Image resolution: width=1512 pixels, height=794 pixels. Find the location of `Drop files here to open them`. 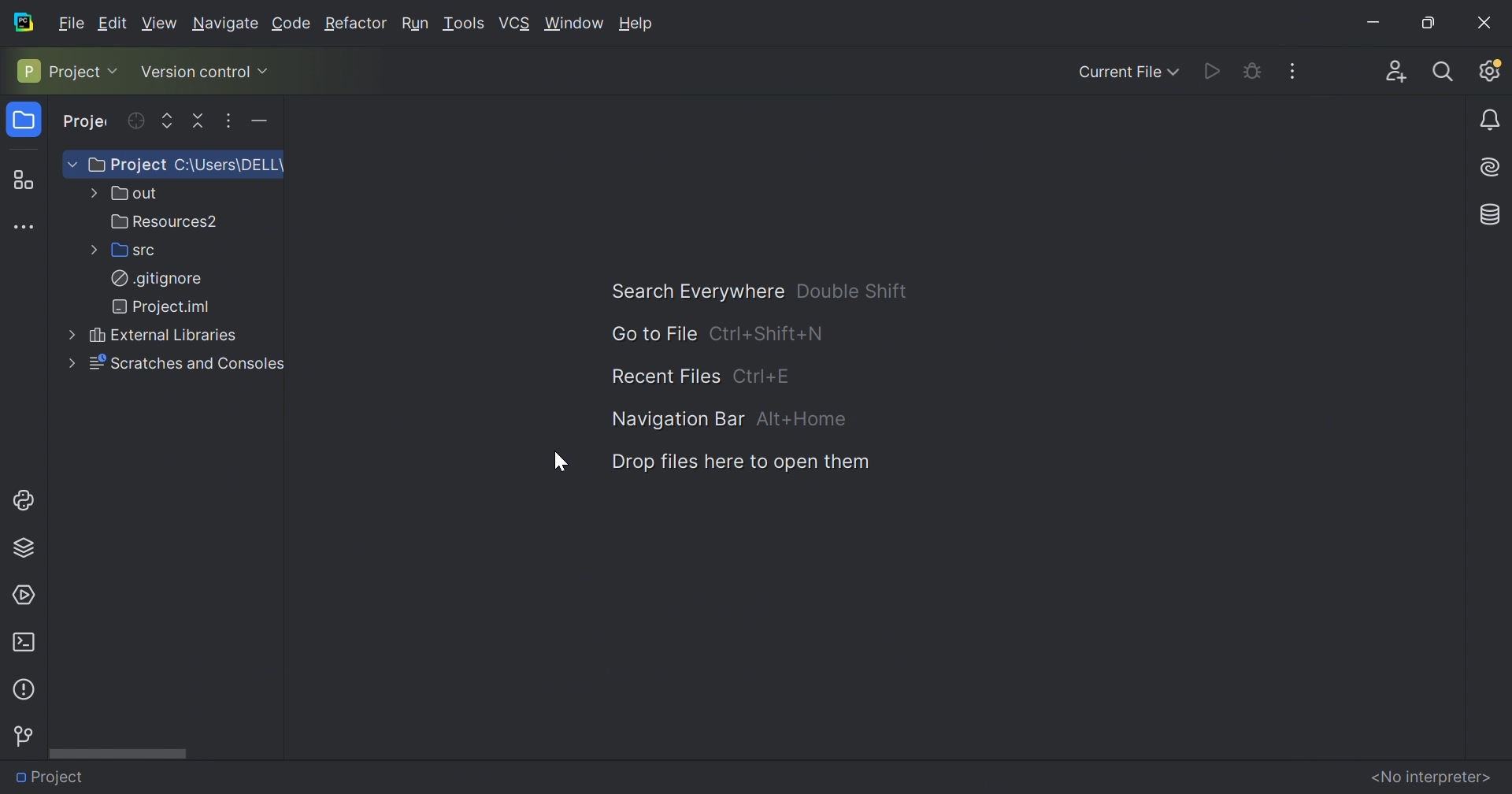

Drop files here to open them is located at coordinates (740, 462).